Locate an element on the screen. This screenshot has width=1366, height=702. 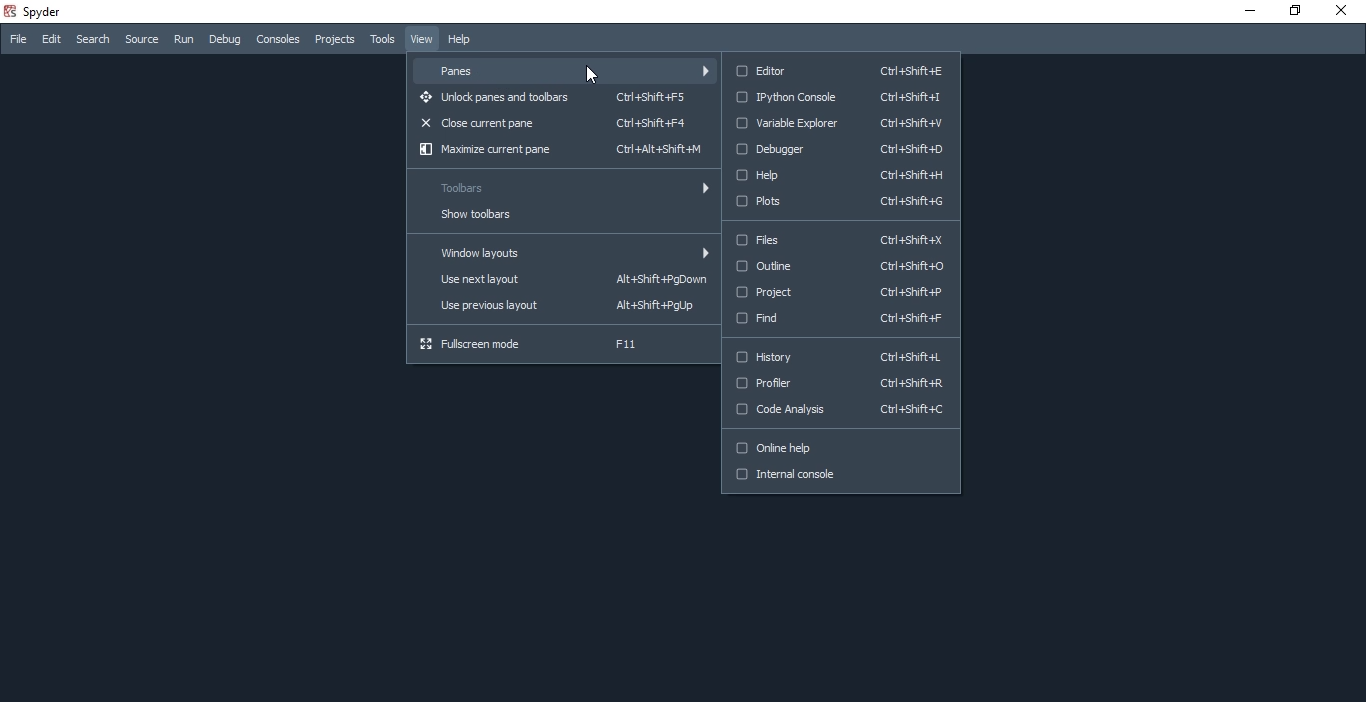
History is located at coordinates (839, 356).